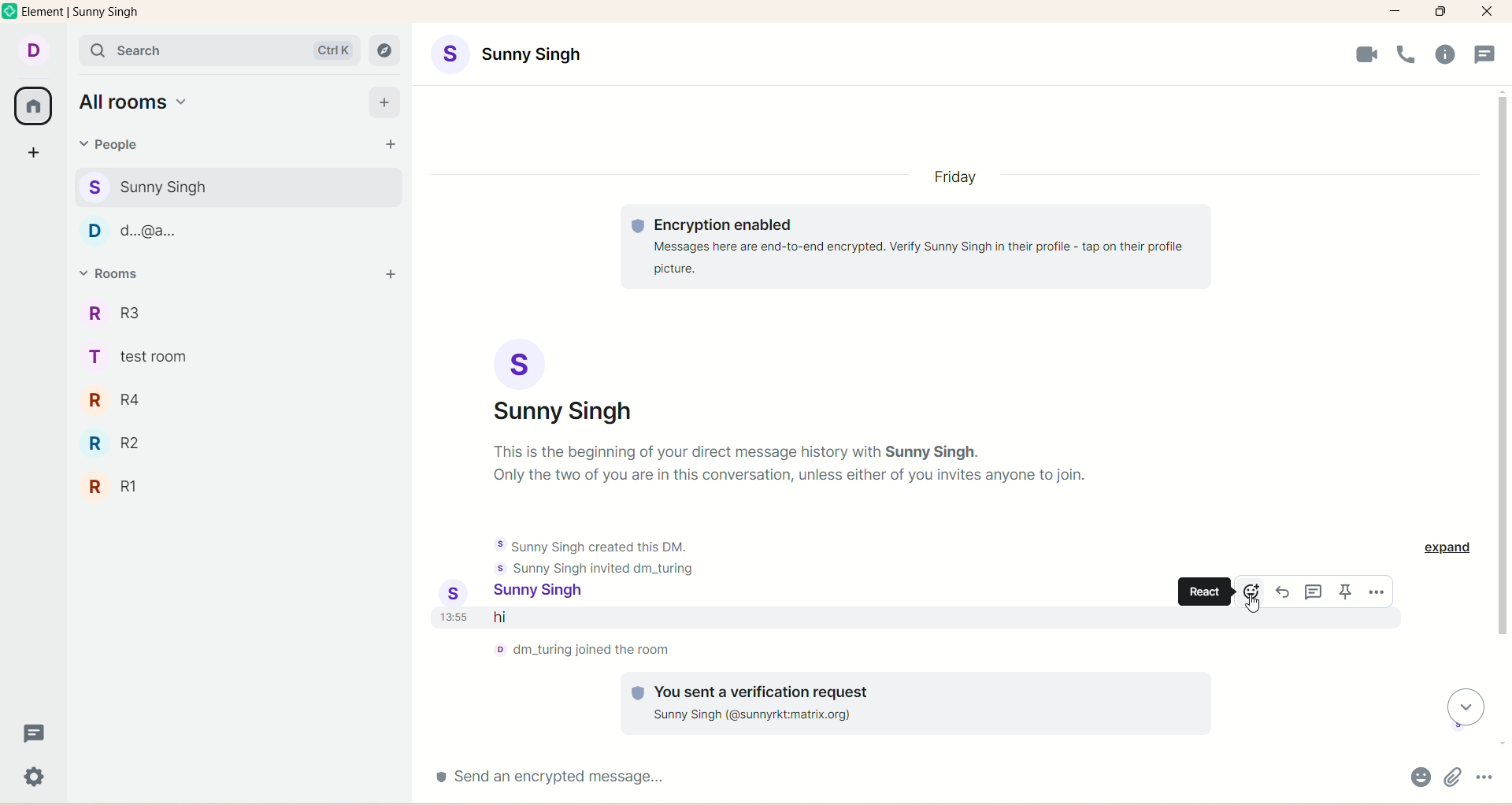 Image resolution: width=1512 pixels, height=805 pixels. Describe the element at coordinates (1377, 592) in the screenshot. I see `options` at that location.